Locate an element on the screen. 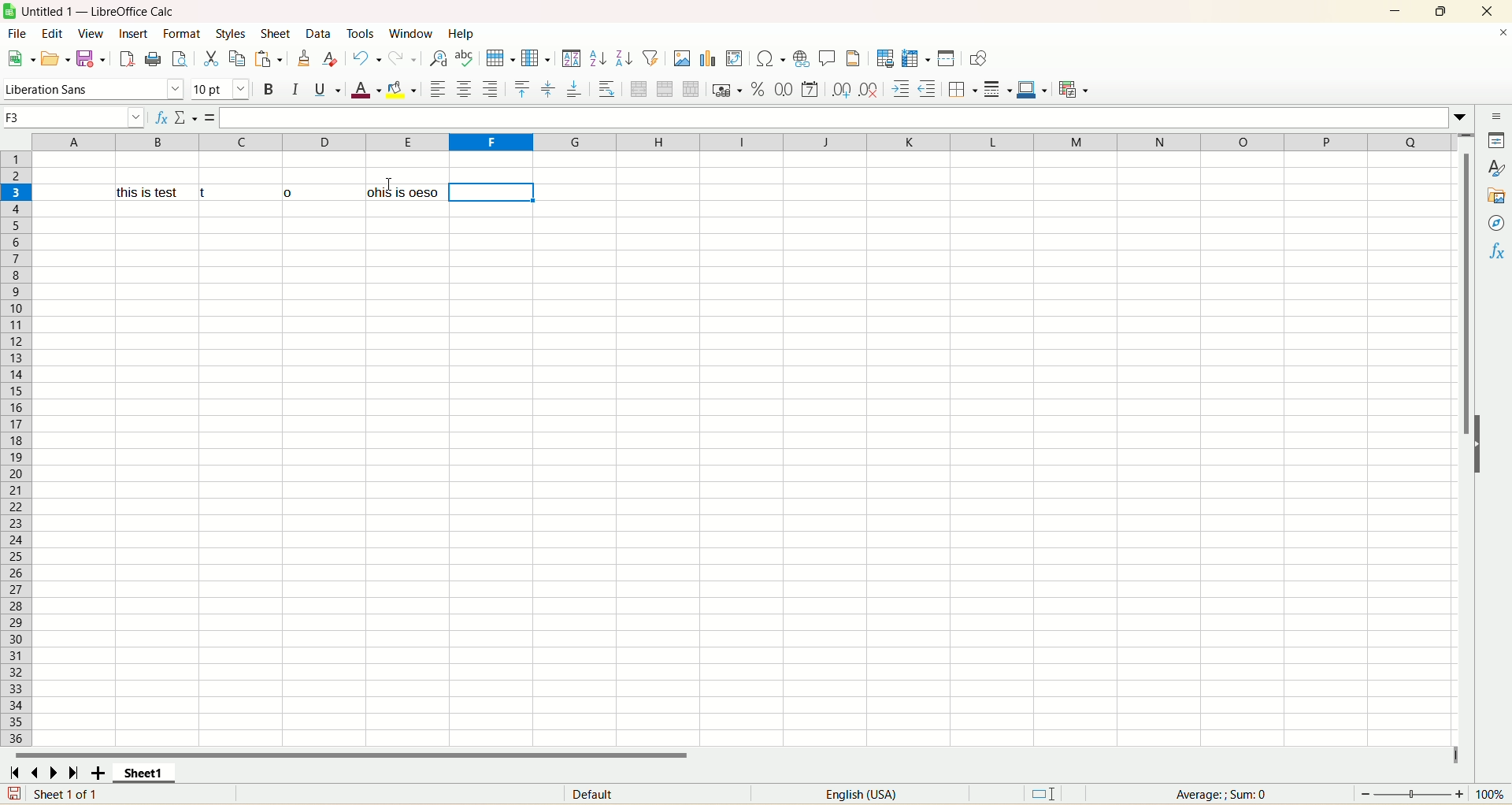 This screenshot has height=805, width=1512. wrap text is located at coordinates (607, 90).